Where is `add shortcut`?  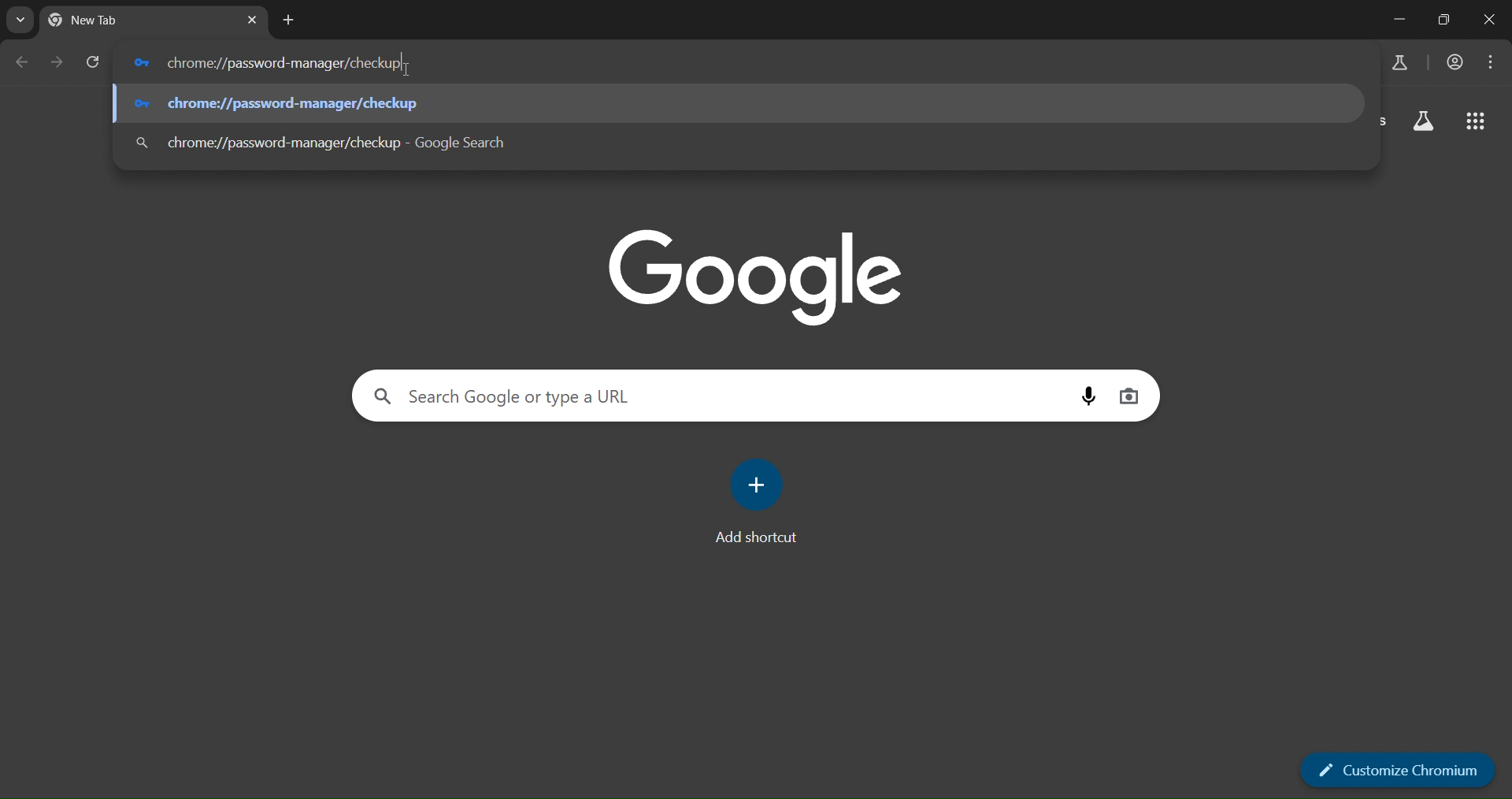
add shortcut is located at coordinates (762, 500).